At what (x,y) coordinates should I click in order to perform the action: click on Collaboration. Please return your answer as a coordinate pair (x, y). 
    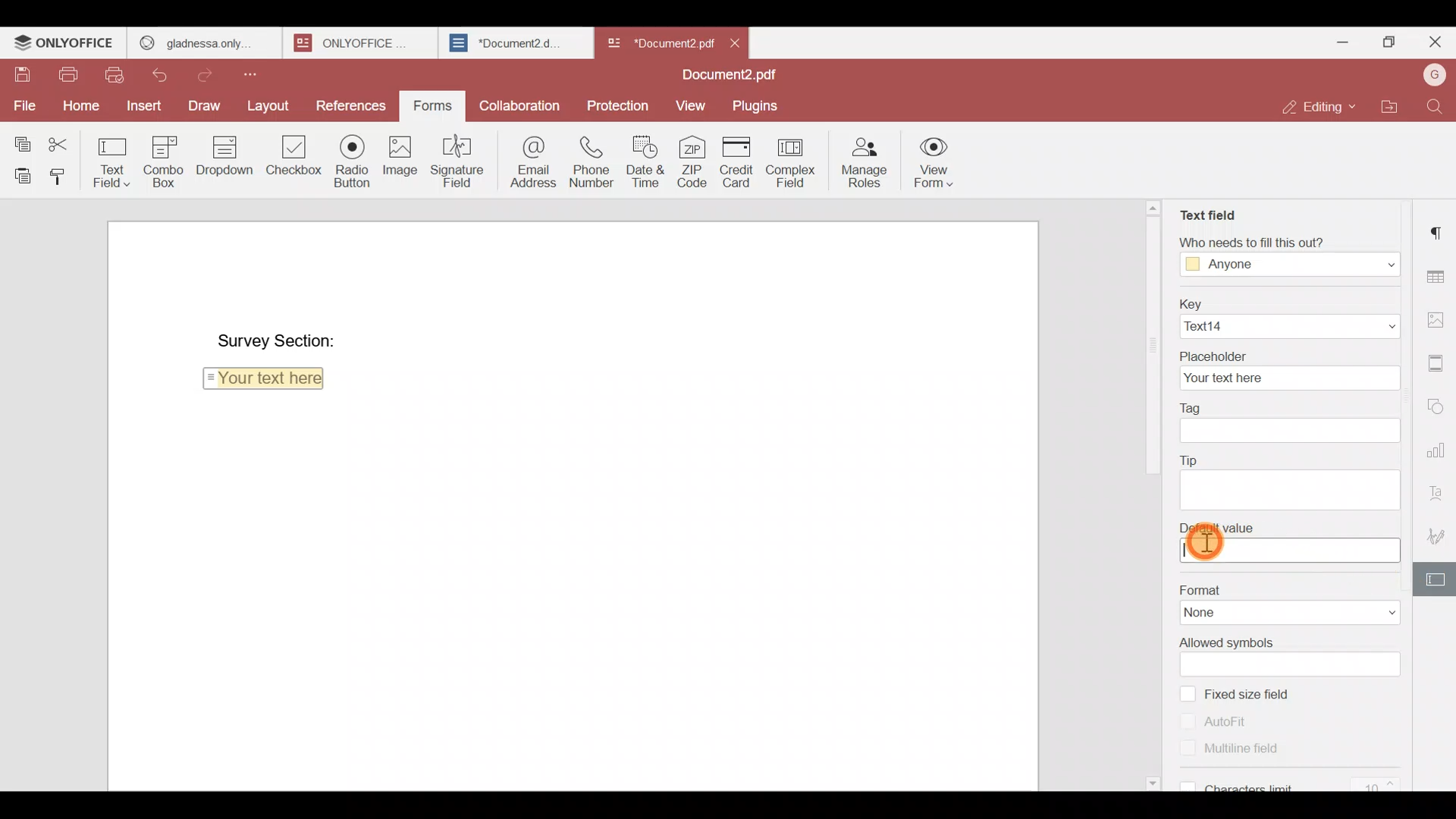
    Looking at the image, I should click on (522, 108).